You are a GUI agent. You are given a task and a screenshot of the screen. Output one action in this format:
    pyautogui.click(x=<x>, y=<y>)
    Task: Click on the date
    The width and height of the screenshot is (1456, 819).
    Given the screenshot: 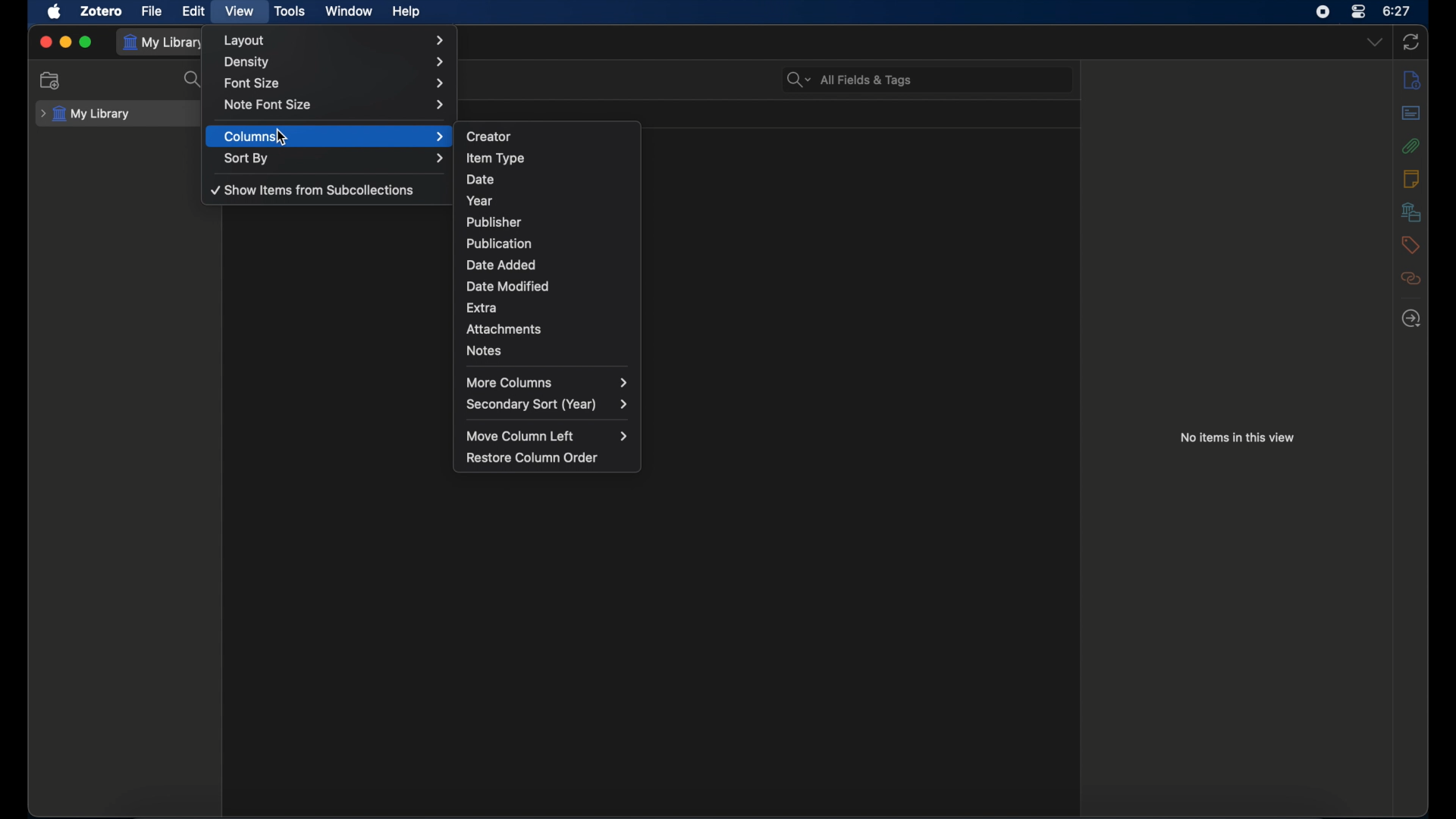 What is the action you would take?
    pyautogui.click(x=482, y=179)
    